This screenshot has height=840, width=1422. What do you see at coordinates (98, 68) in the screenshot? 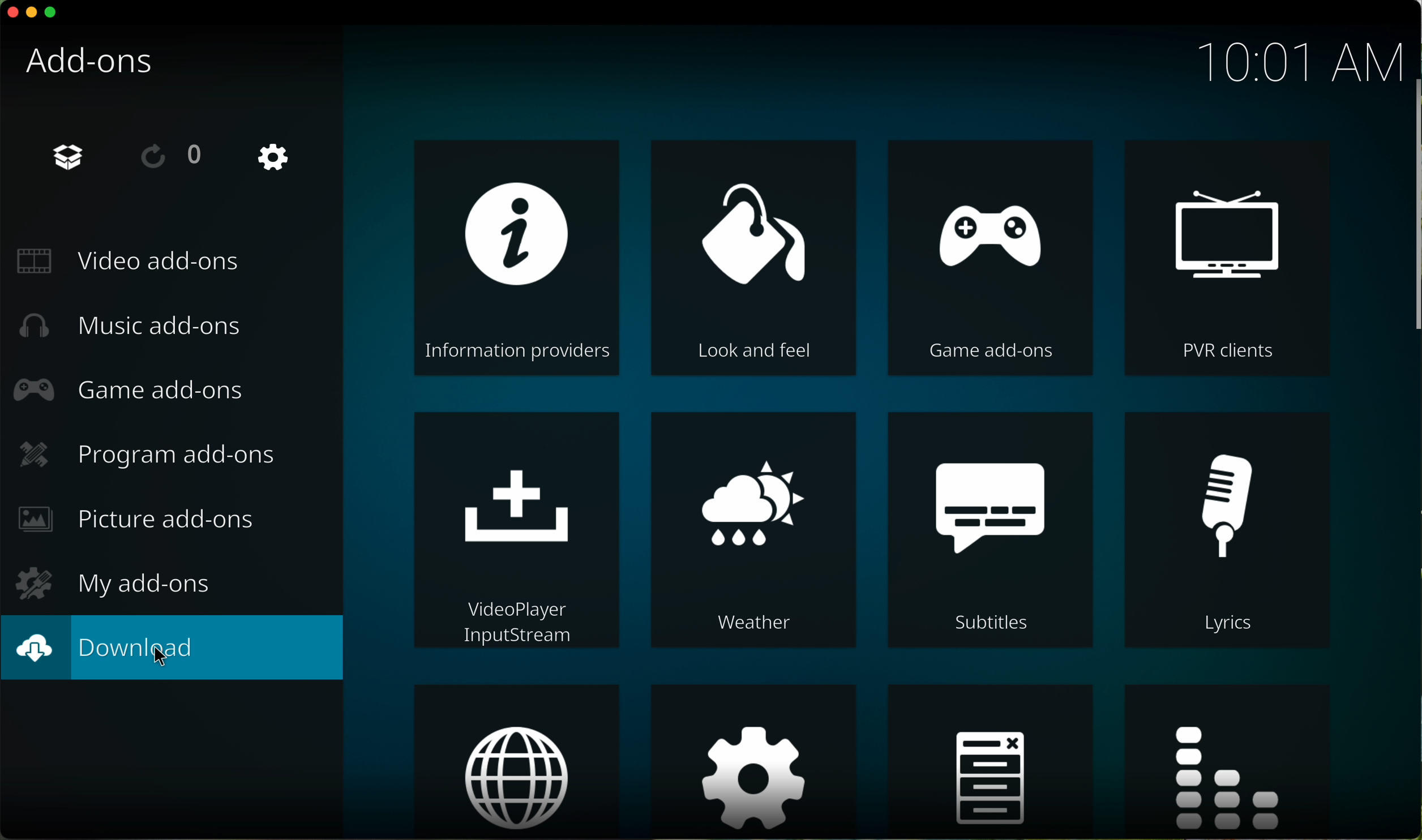
I see `add-ons` at bounding box center [98, 68].